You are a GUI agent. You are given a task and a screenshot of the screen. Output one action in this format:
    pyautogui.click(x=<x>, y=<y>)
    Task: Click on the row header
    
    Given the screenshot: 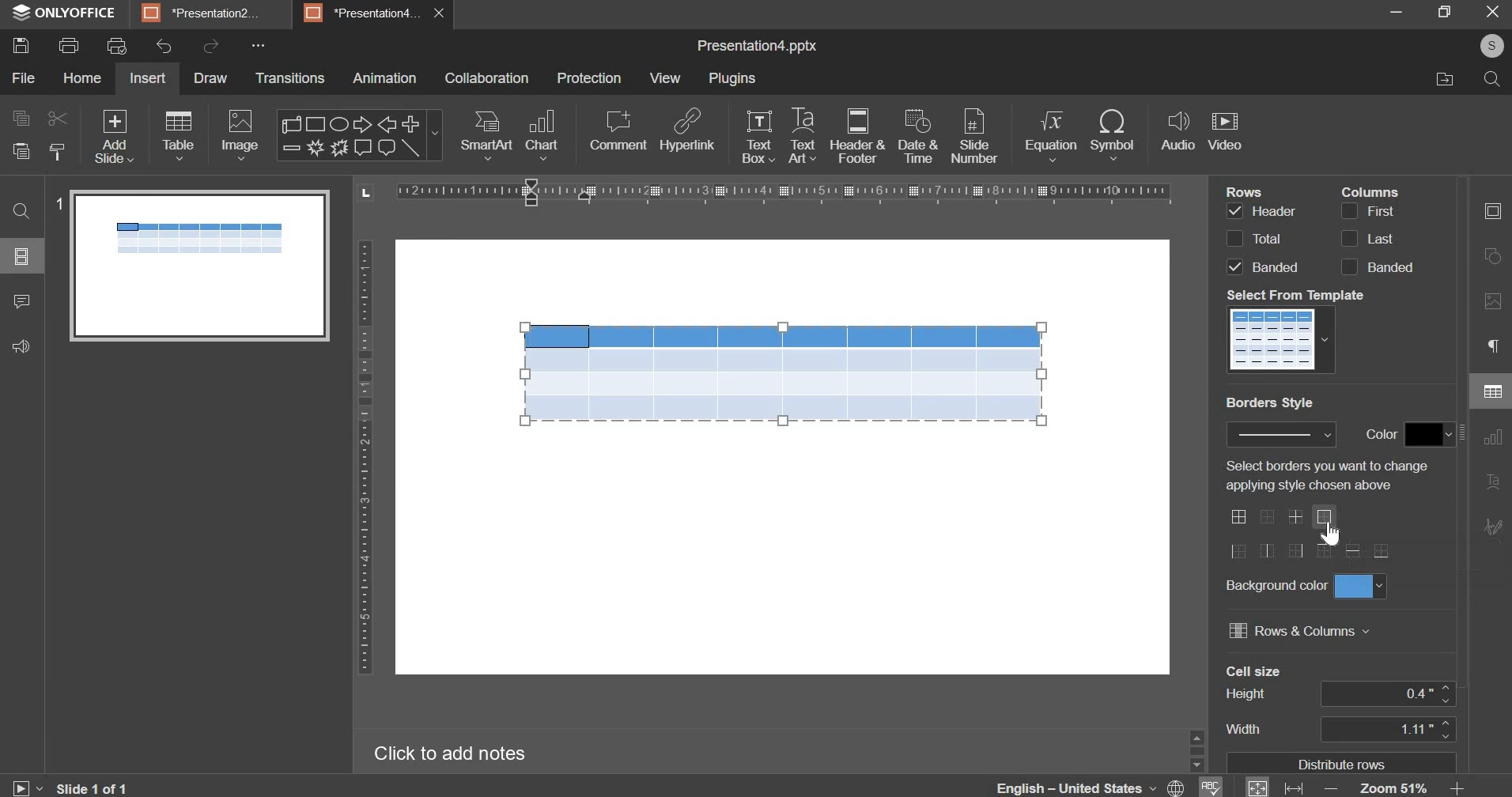 What is the action you would take?
    pyautogui.click(x=1261, y=210)
    